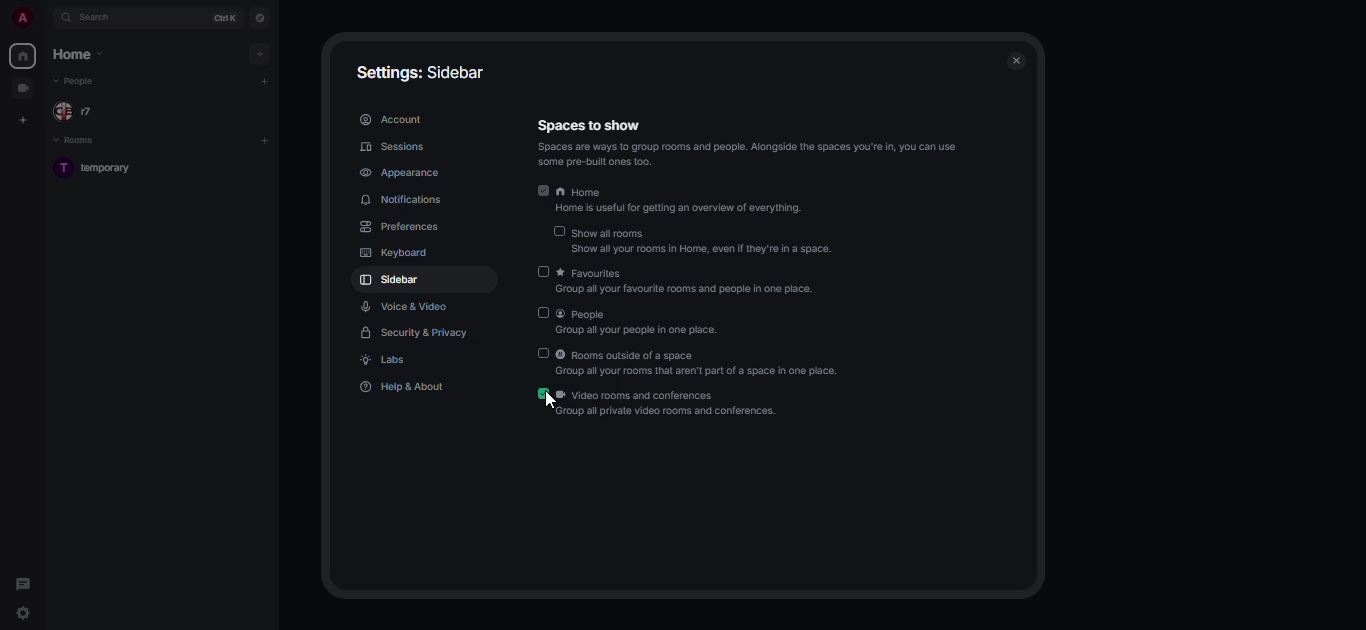  What do you see at coordinates (546, 271) in the screenshot?
I see `disabled` at bounding box center [546, 271].